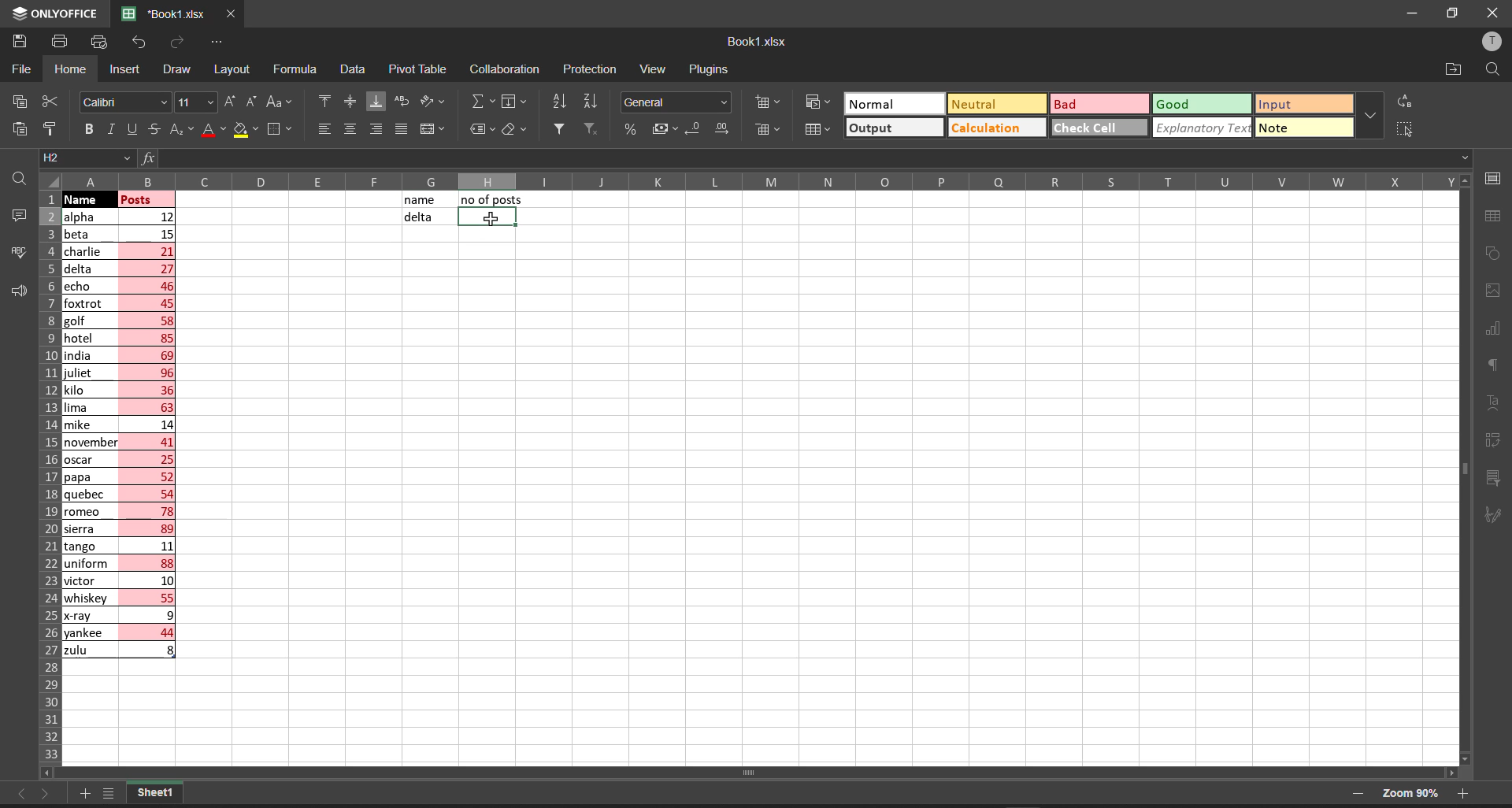 The height and width of the screenshot is (808, 1512). I want to click on filter, so click(558, 128).